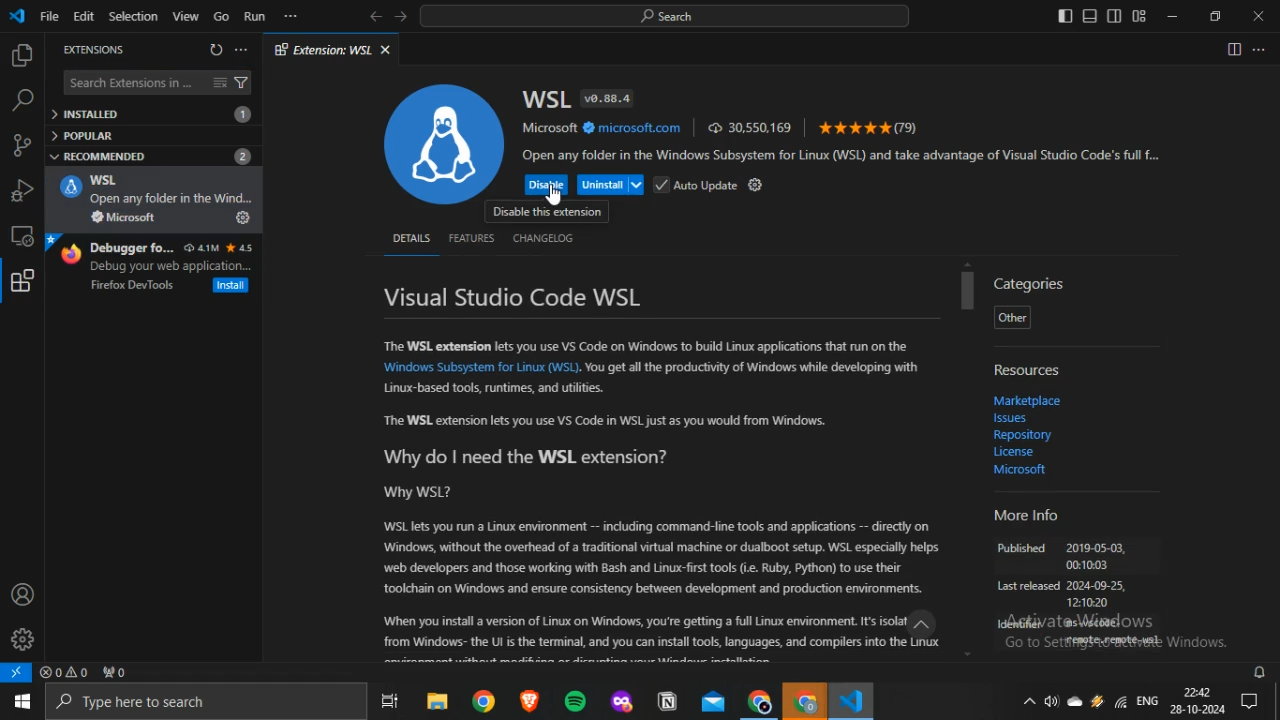  Describe the element at coordinates (123, 217) in the screenshot. I see `Microsoft` at that location.